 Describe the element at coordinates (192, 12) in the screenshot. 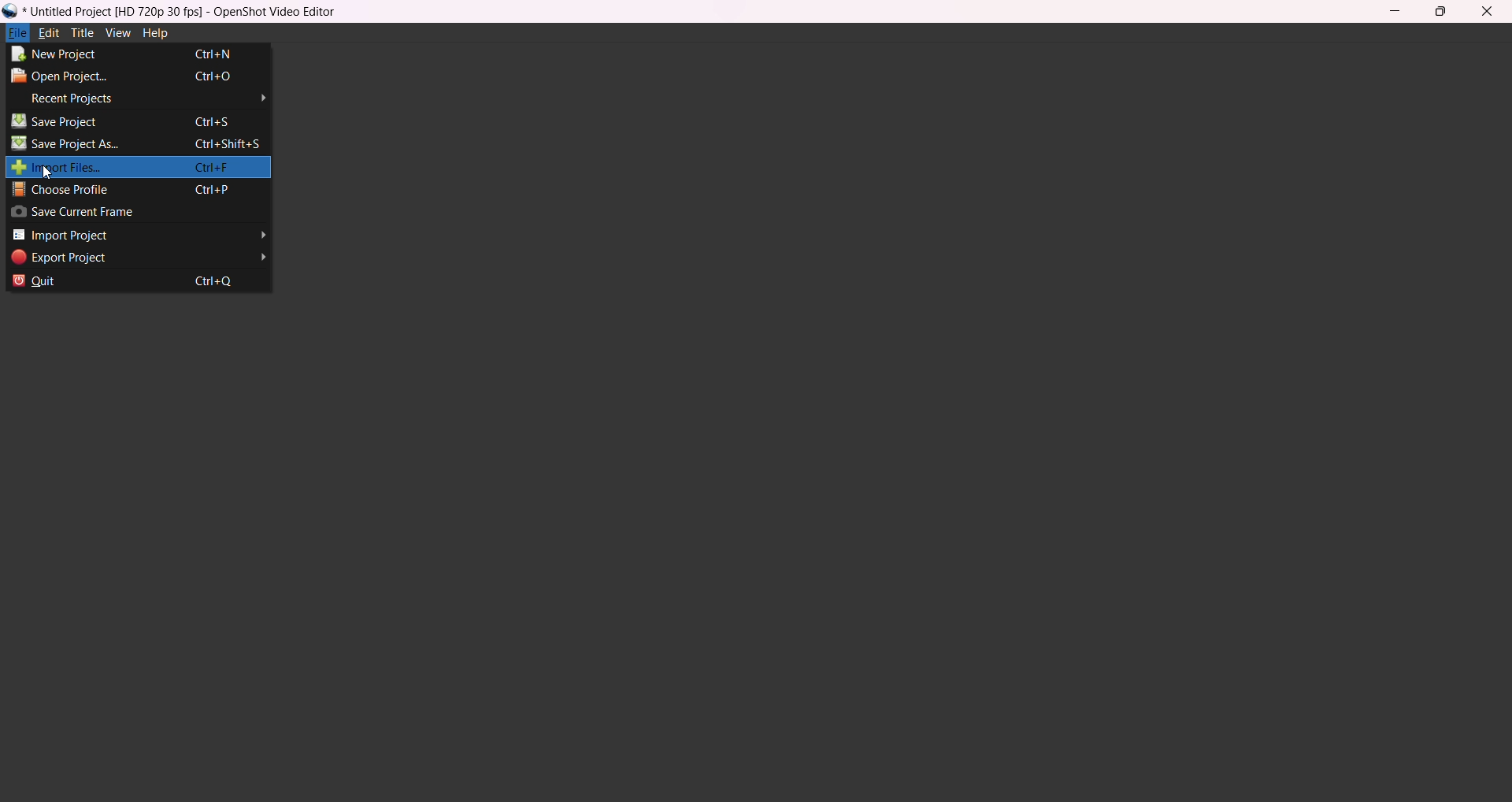

I see `title` at that location.